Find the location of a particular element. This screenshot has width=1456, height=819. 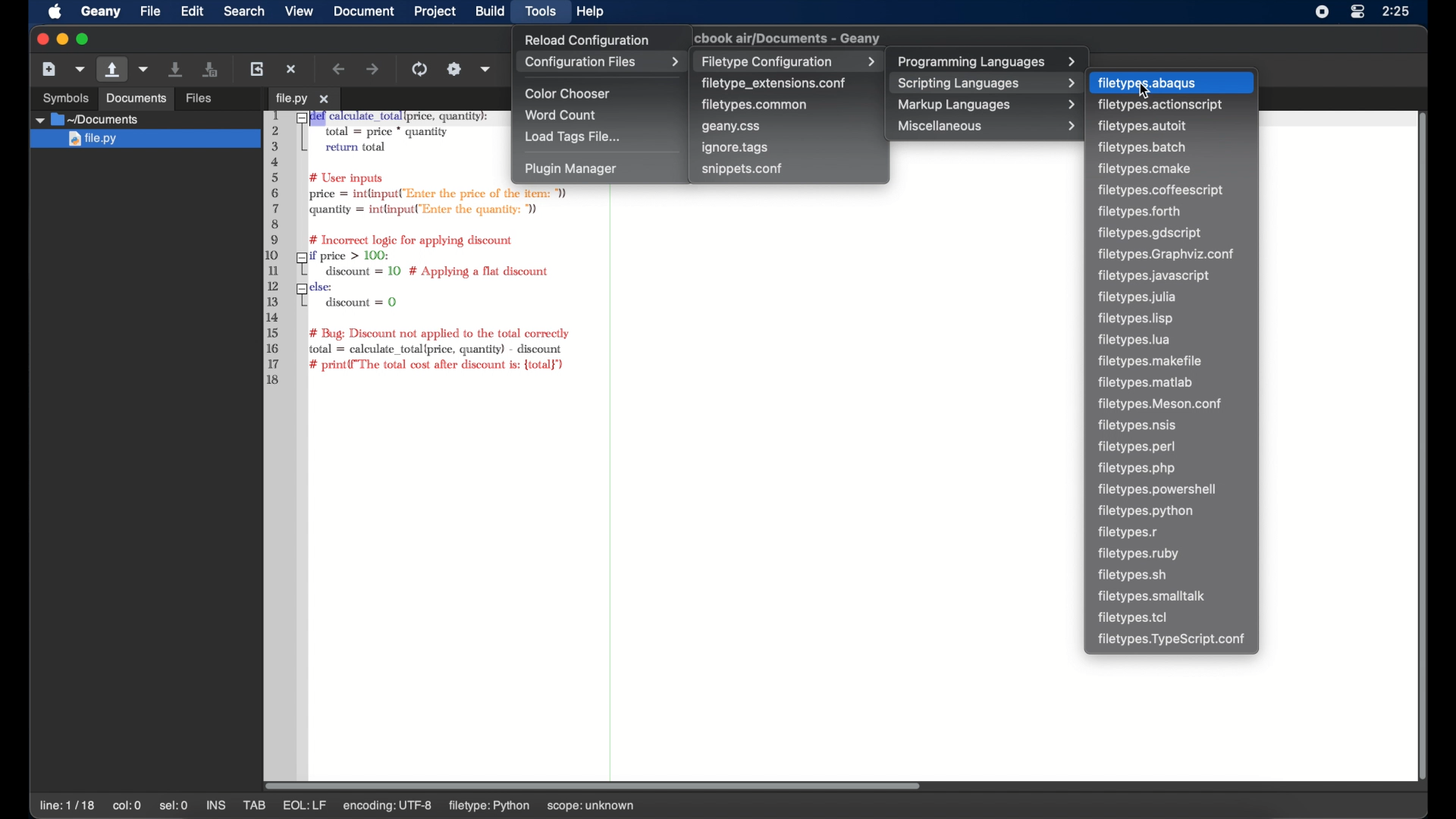

plugin manager is located at coordinates (570, 169).